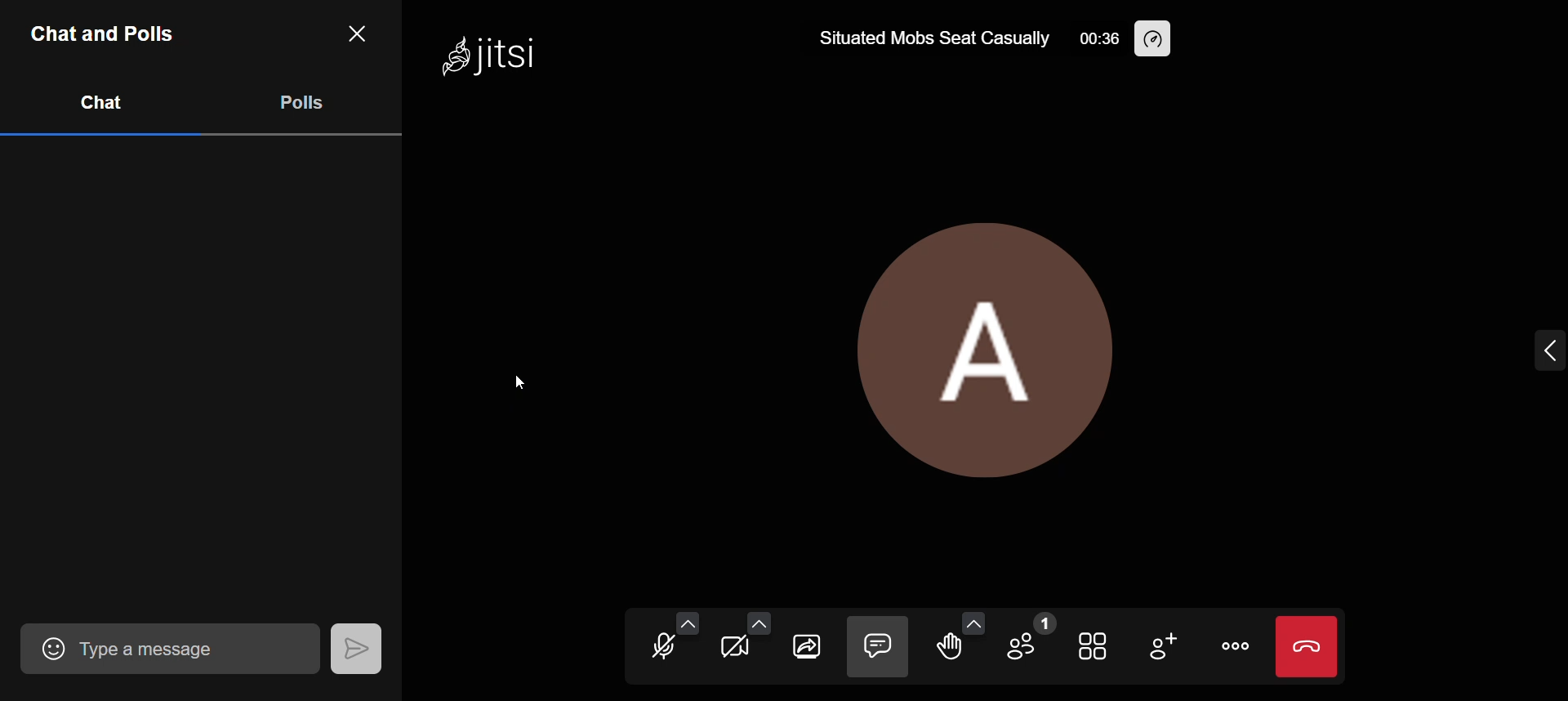 The height and width of the screenshot is (701, 1568). I want to click on poll tab, so click(303, 101).